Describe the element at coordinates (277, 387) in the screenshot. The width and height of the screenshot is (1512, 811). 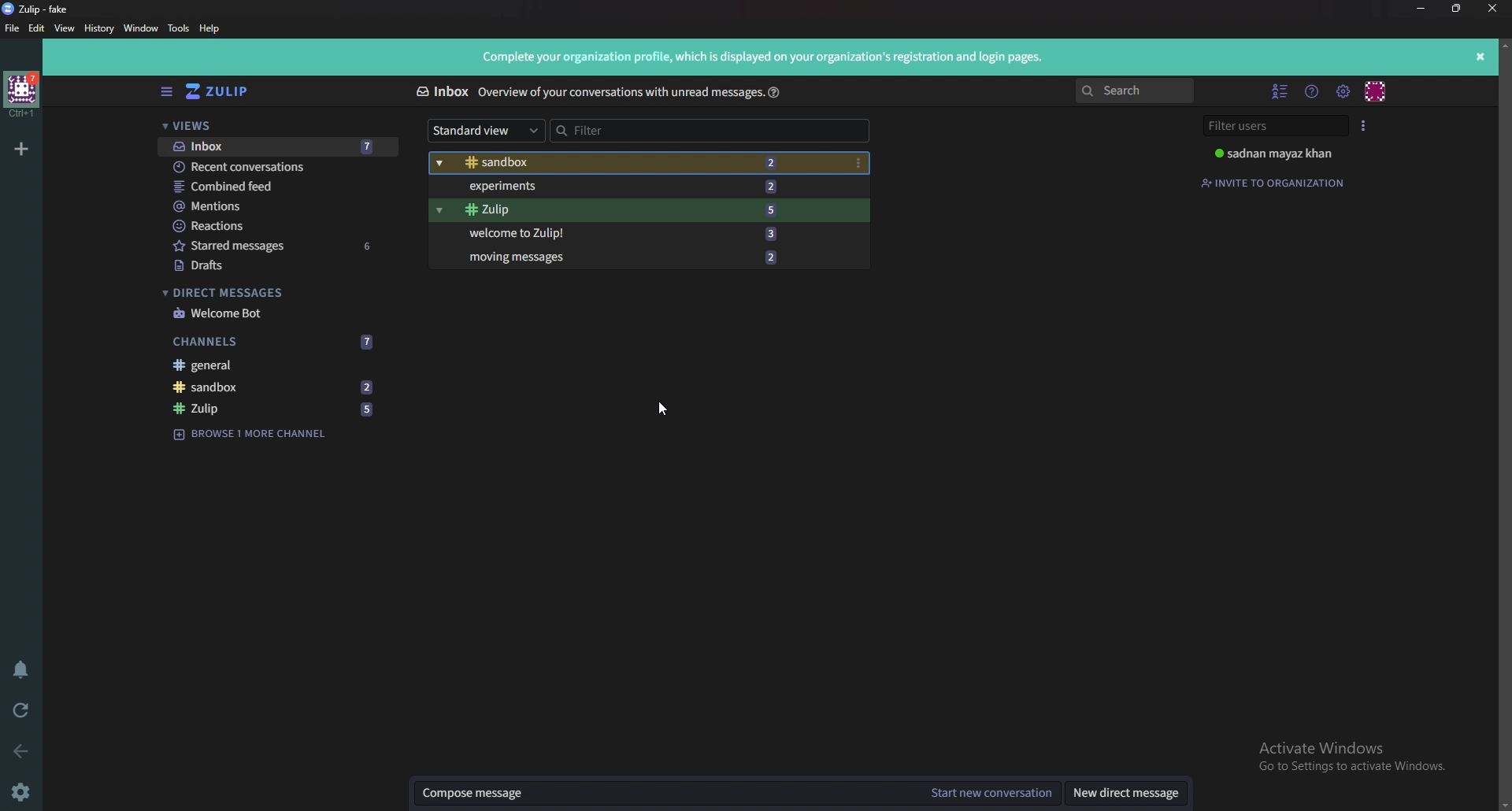
I see `Sandbox` at that location.